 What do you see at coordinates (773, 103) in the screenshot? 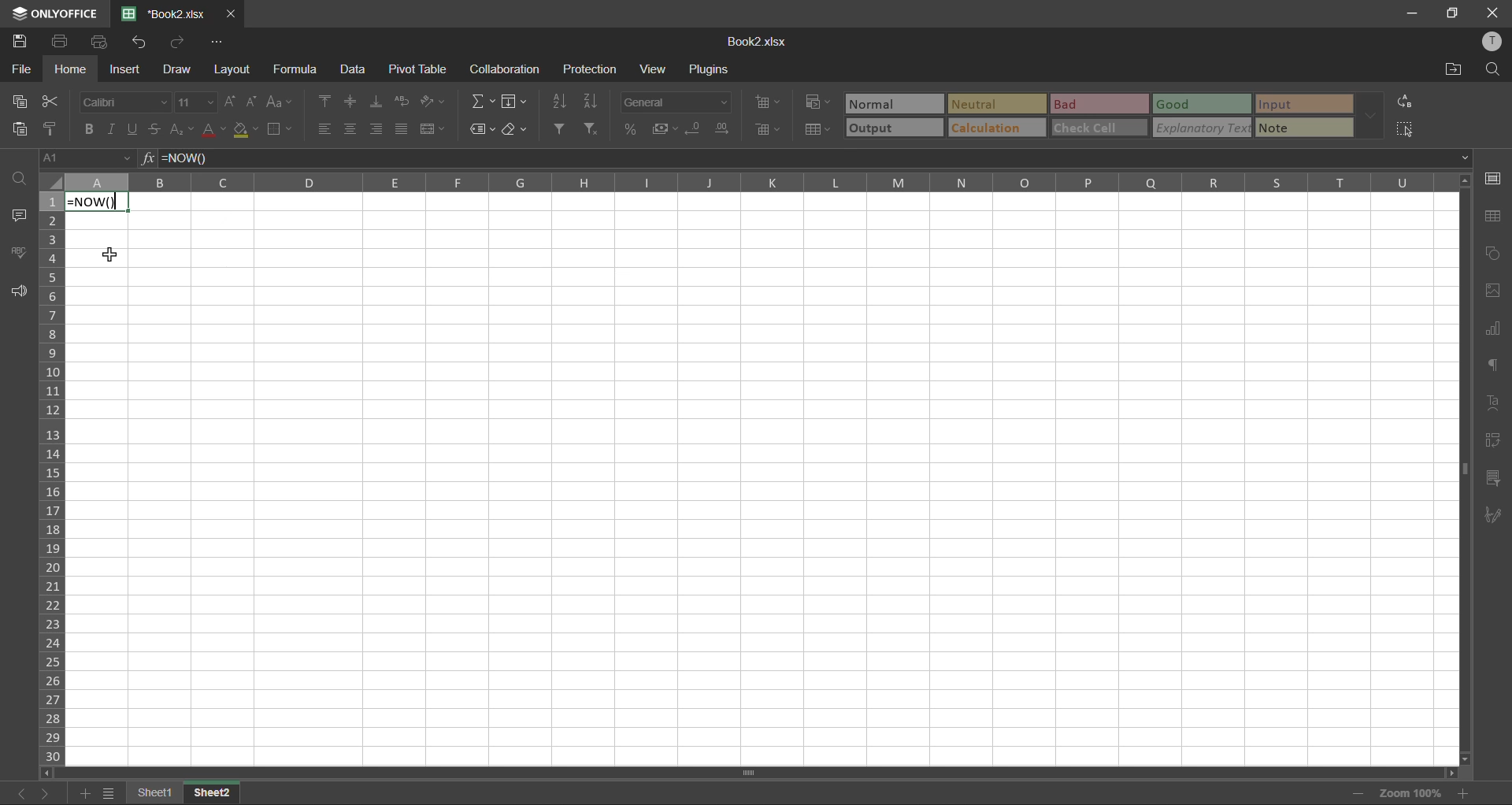
I see `insert cells` at bounding box center [773, 103].